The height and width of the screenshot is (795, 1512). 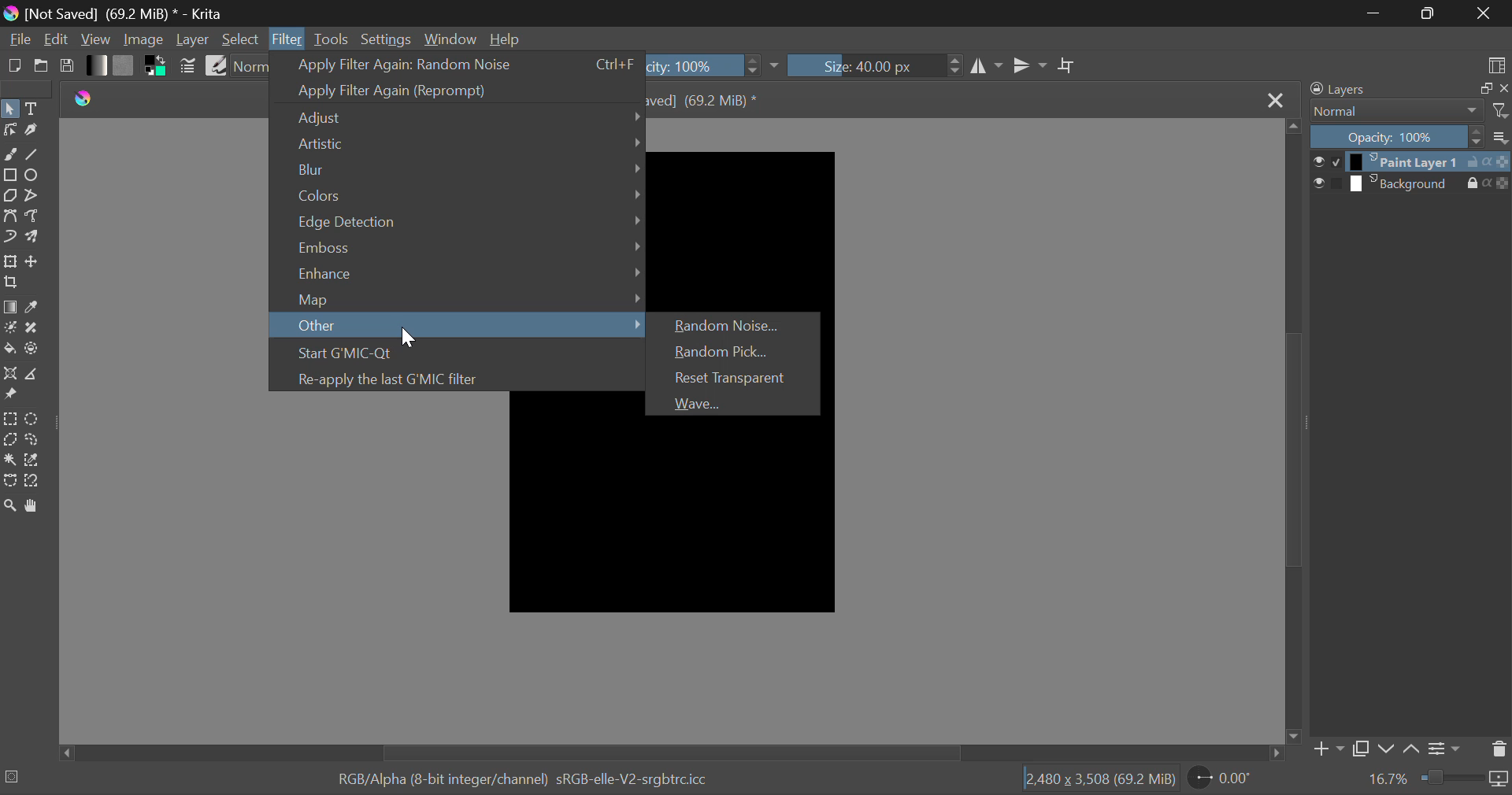 I want to click on Delete Layer, so click(x=1499, y=751).